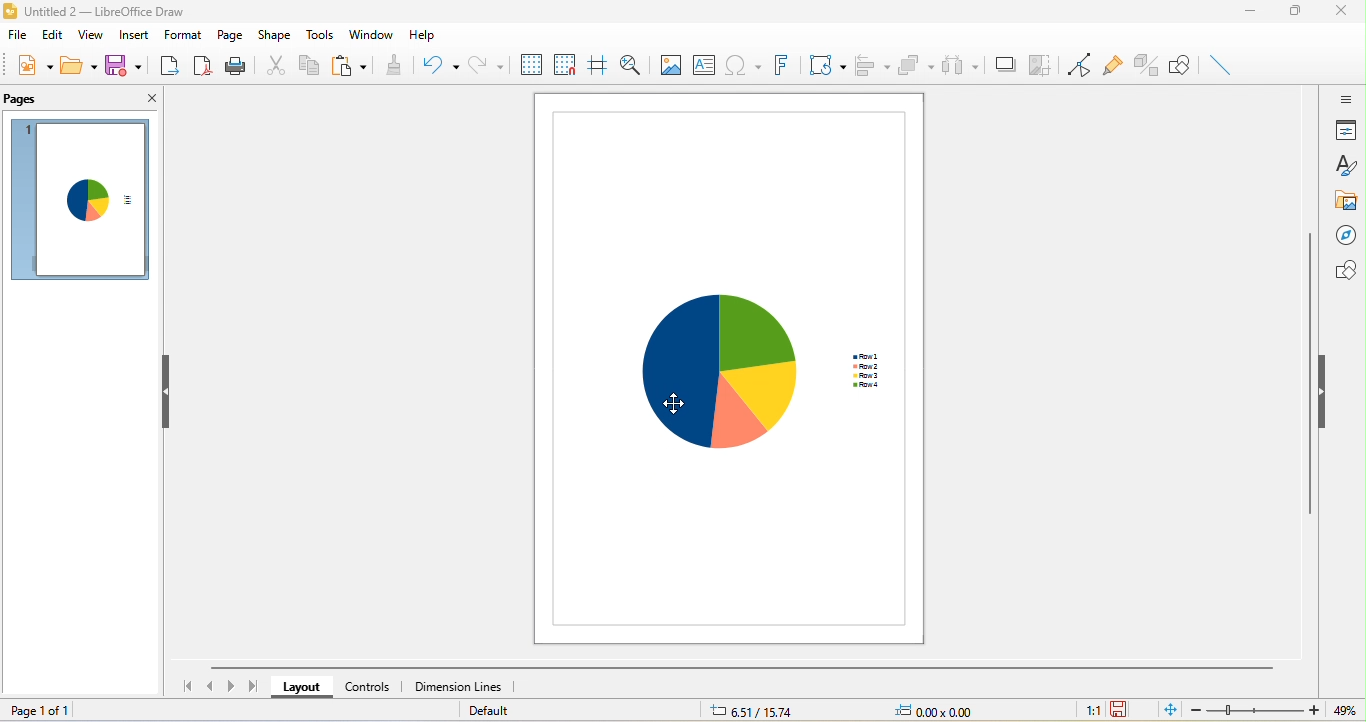 Image resolution: width=1366 pixels, height=722 pixels. What do you see at coordinates (1345, 204) in the screenshot?
I see `gallery` at bounding box center [1345, 204].